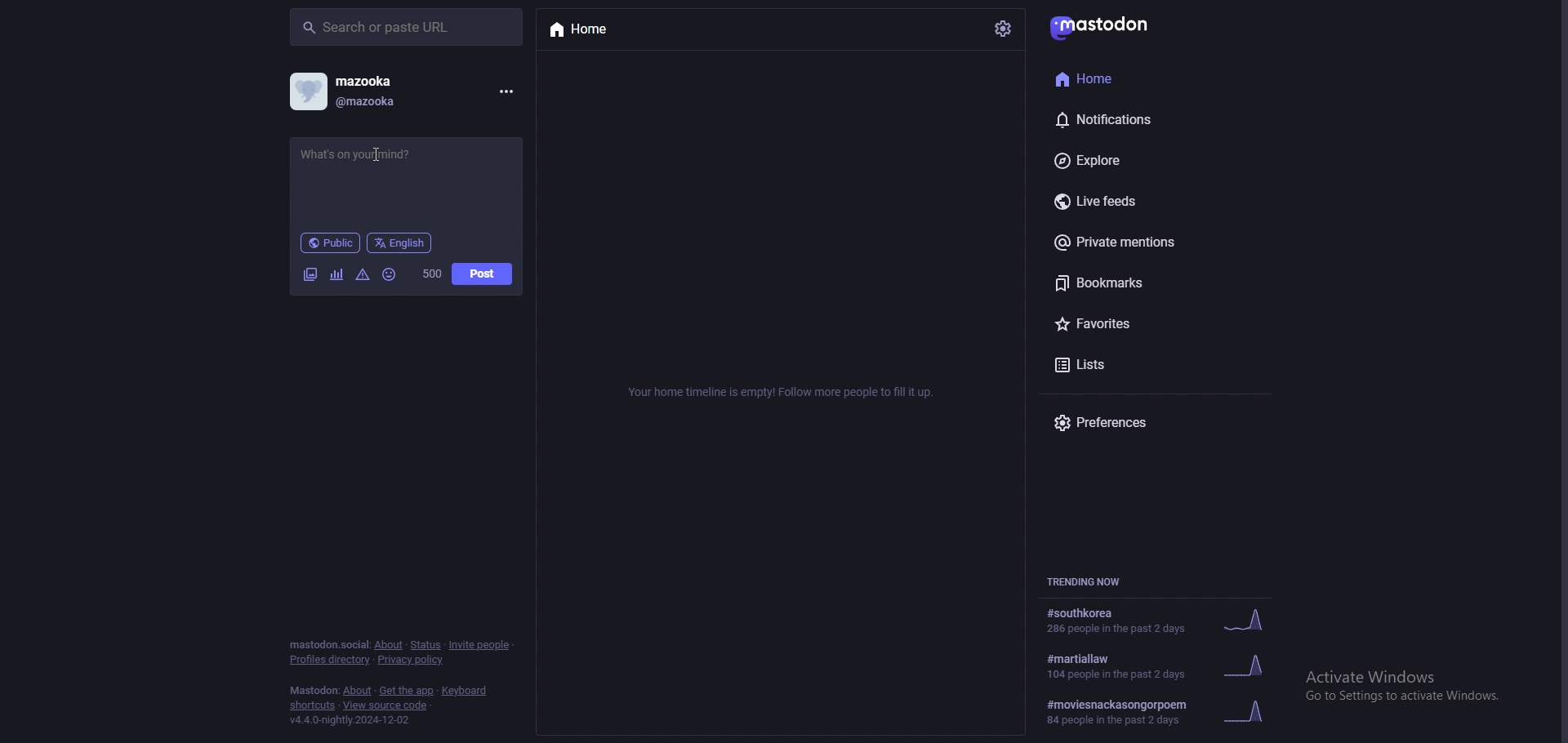  Describe the element at coordinates (311, 706) in the screenshot. I see `shortcuts` at that location.